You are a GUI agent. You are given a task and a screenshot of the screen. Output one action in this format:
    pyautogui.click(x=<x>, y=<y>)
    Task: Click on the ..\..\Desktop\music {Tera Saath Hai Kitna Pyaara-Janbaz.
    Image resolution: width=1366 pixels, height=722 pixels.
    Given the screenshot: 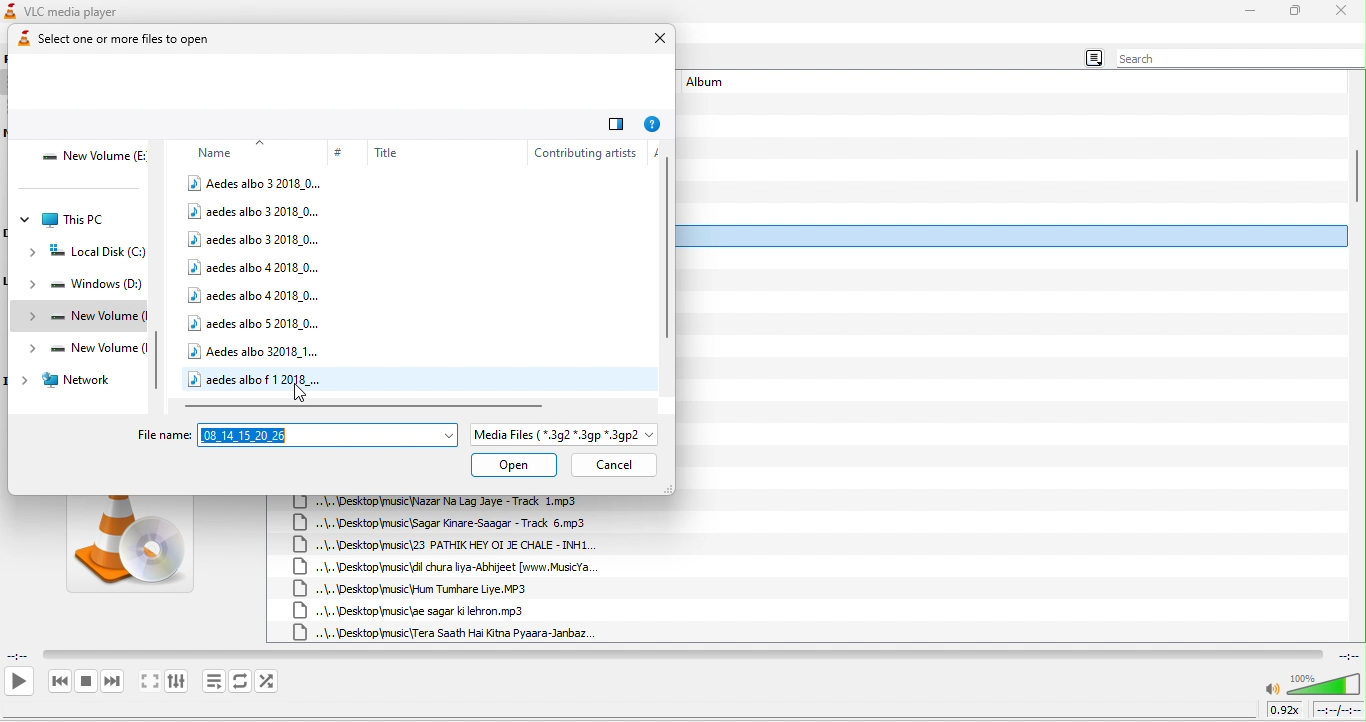 What is the action you would take?
    pyautogui.click(x=445, y=632)
    